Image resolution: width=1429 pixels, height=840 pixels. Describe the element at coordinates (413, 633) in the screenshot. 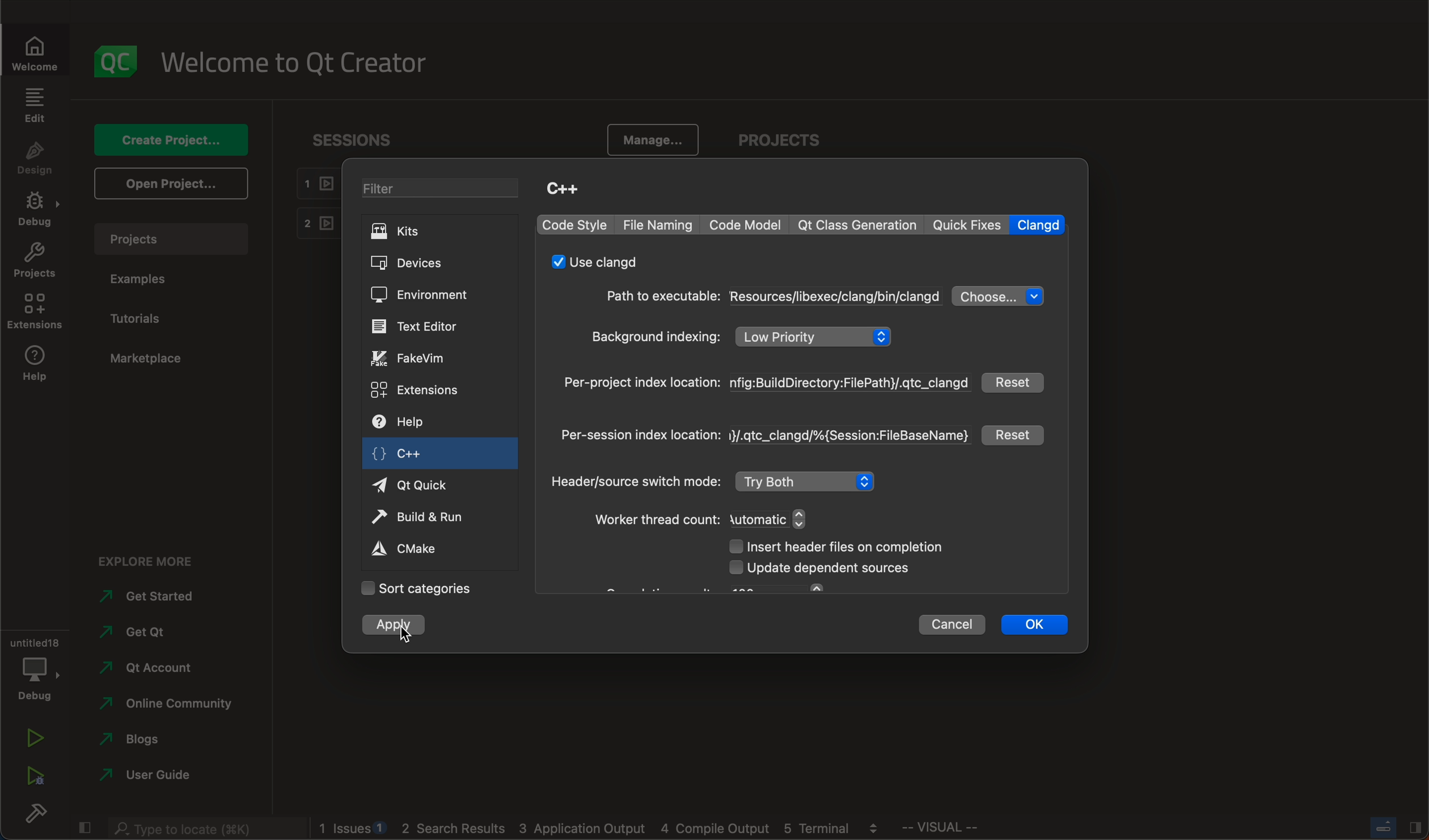

I see `cursor` at that location.